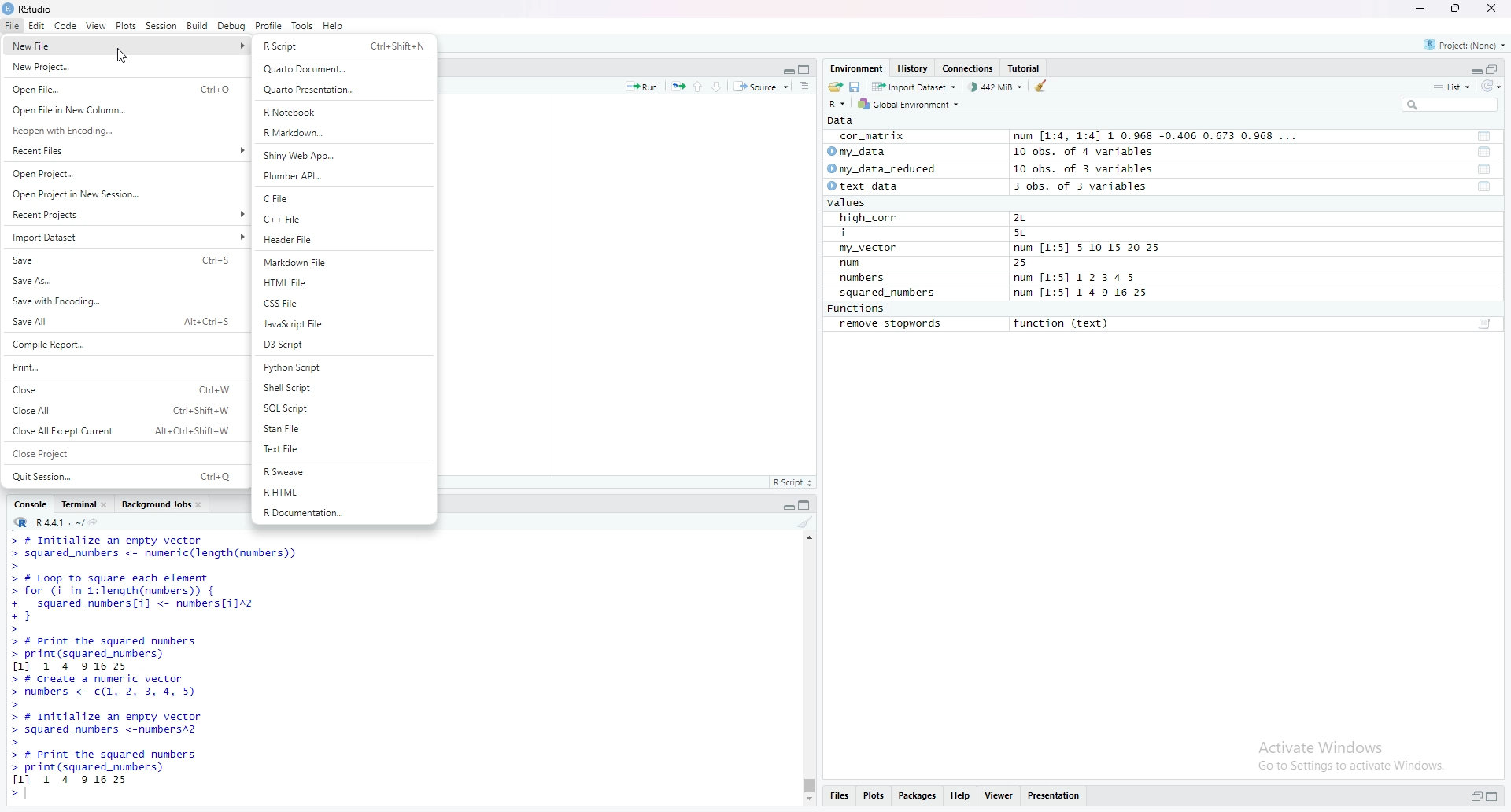 The width and height of the screenshot is (1511, 812). What do you see at coordinates (94, 25) in the screenshot?
I see `view` at bounding box center [94, 25].